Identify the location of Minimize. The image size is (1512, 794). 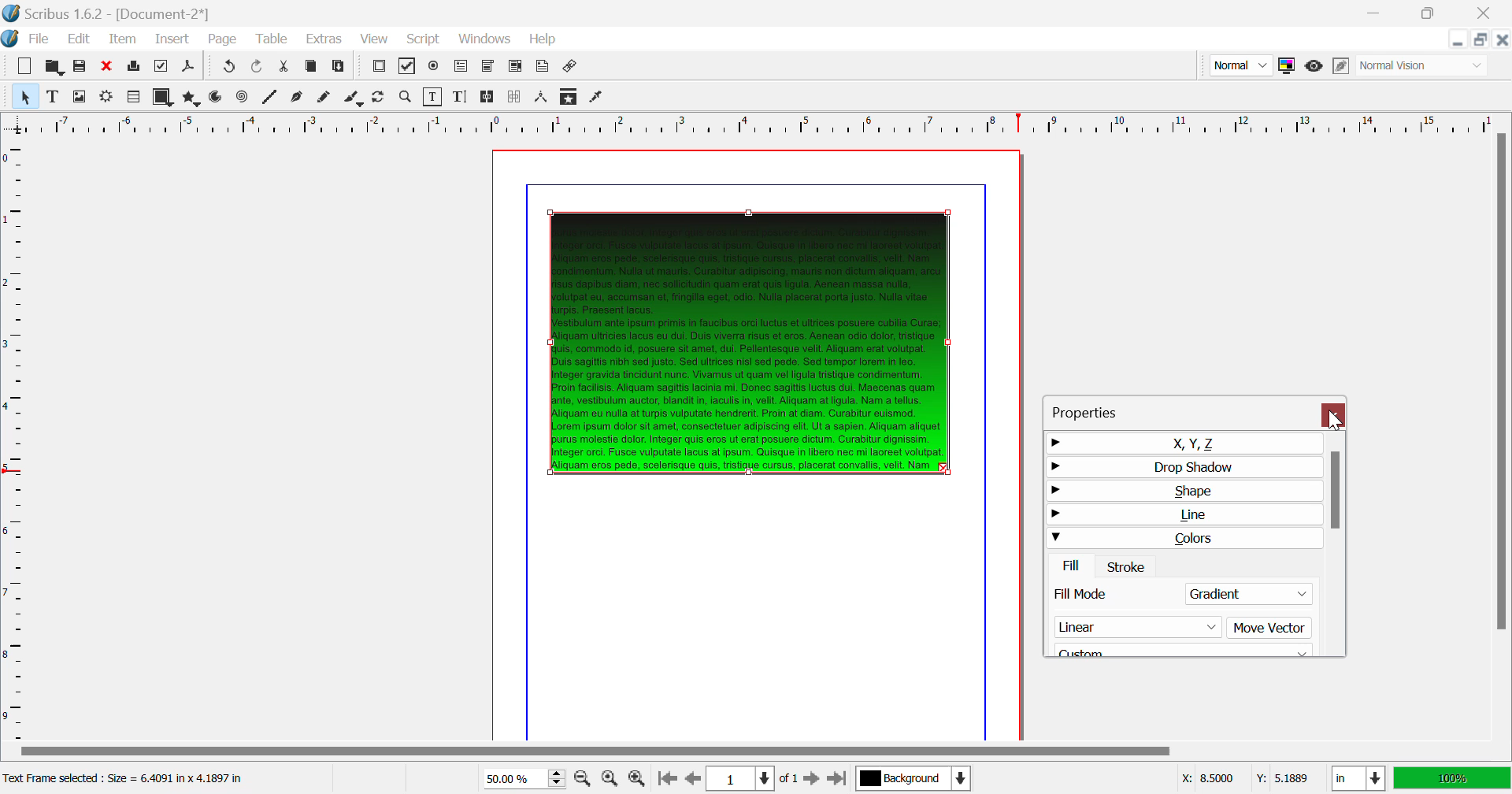
(1432, 13).